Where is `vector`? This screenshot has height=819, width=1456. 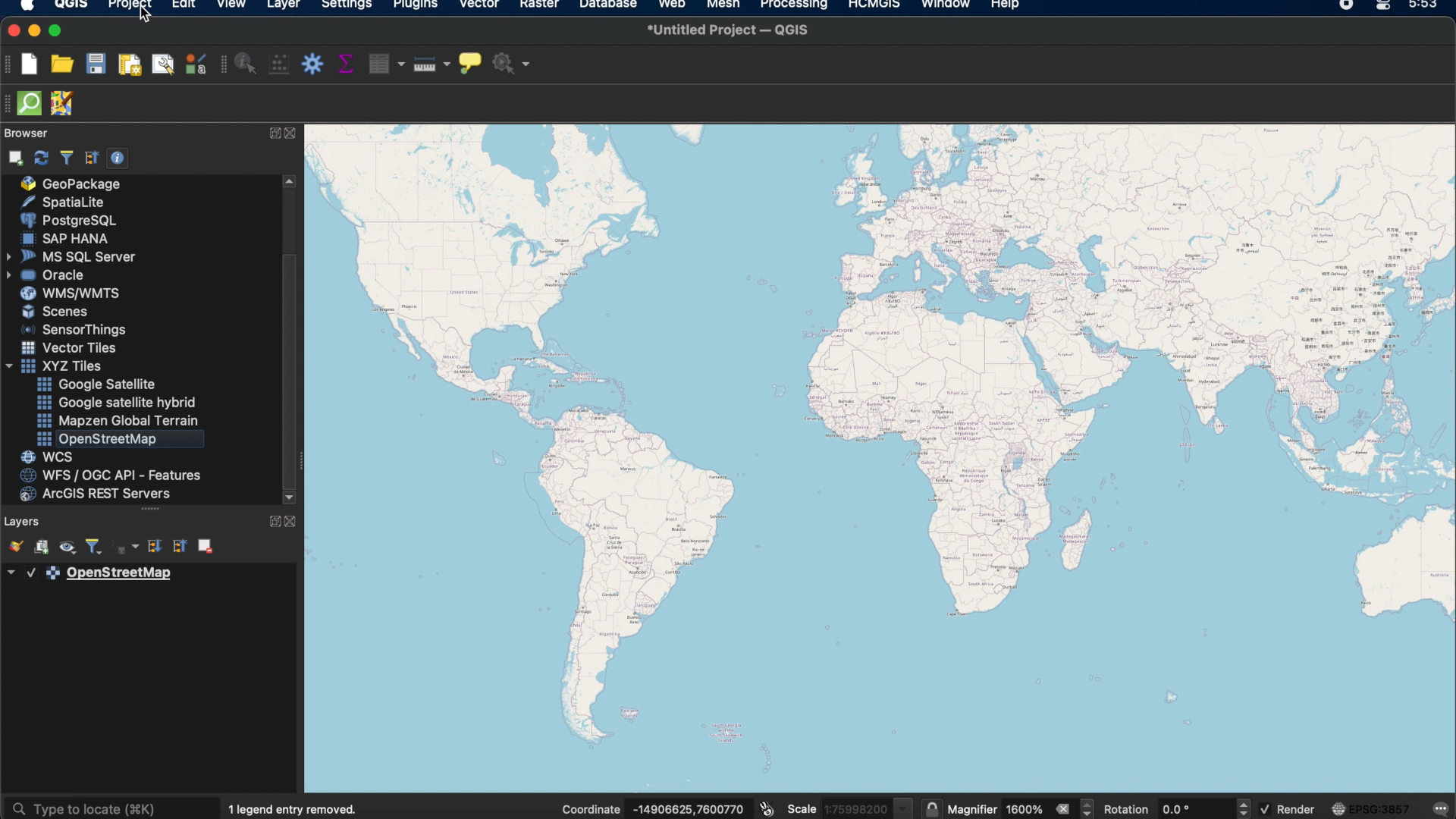 vector is located at coordinates (480, 6).